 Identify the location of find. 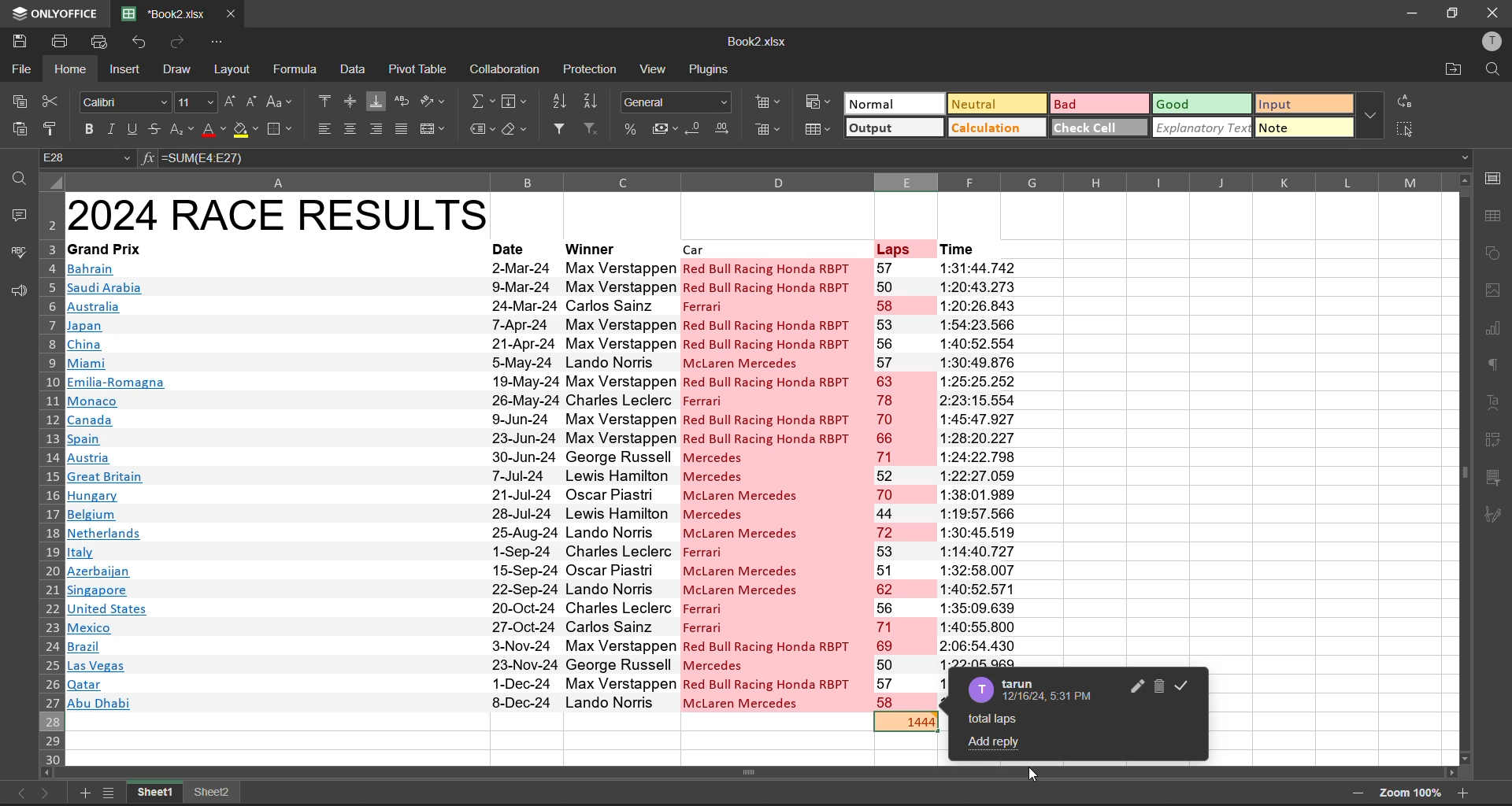
(1494, 70).